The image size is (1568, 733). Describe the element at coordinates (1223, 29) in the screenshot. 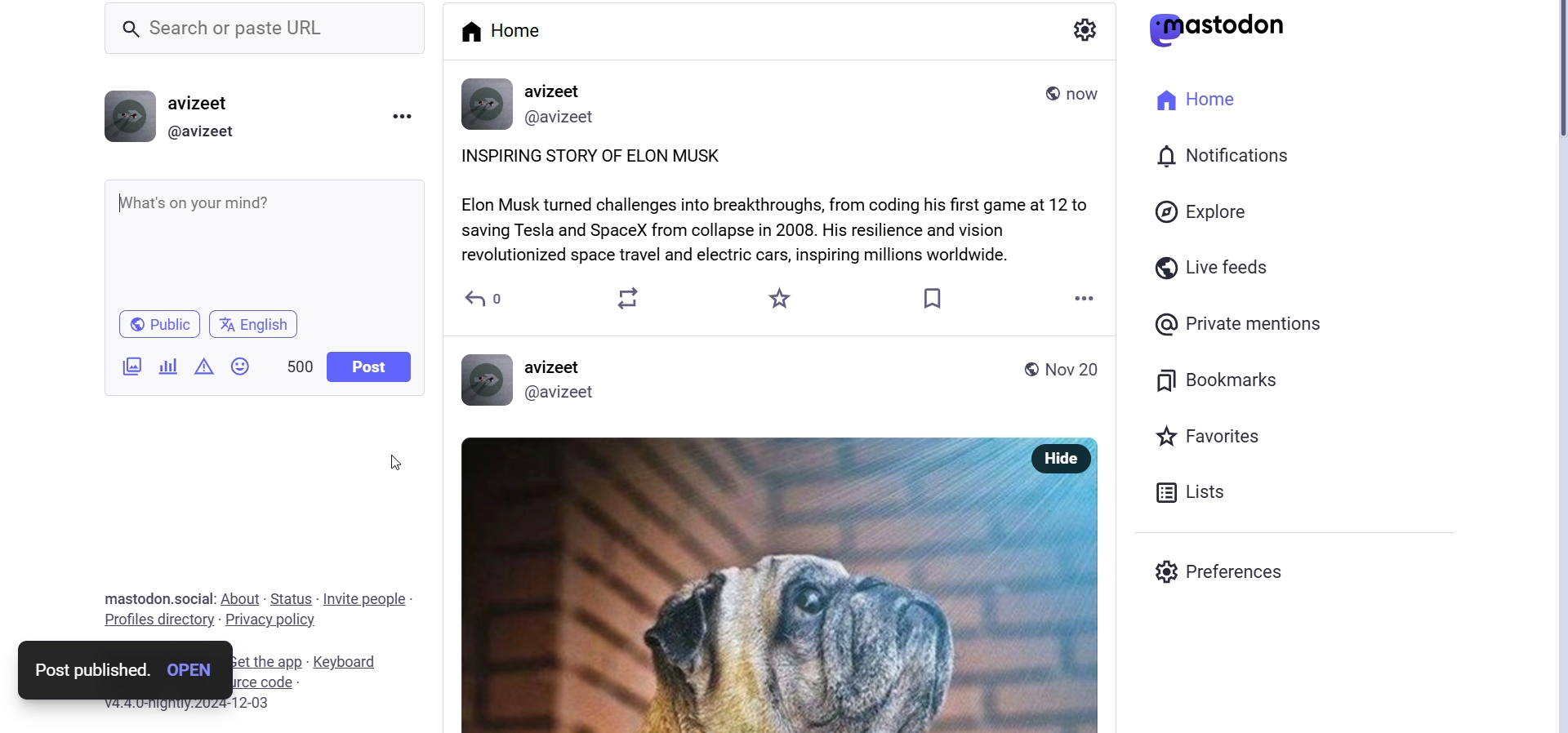

I see `logo` at that location.